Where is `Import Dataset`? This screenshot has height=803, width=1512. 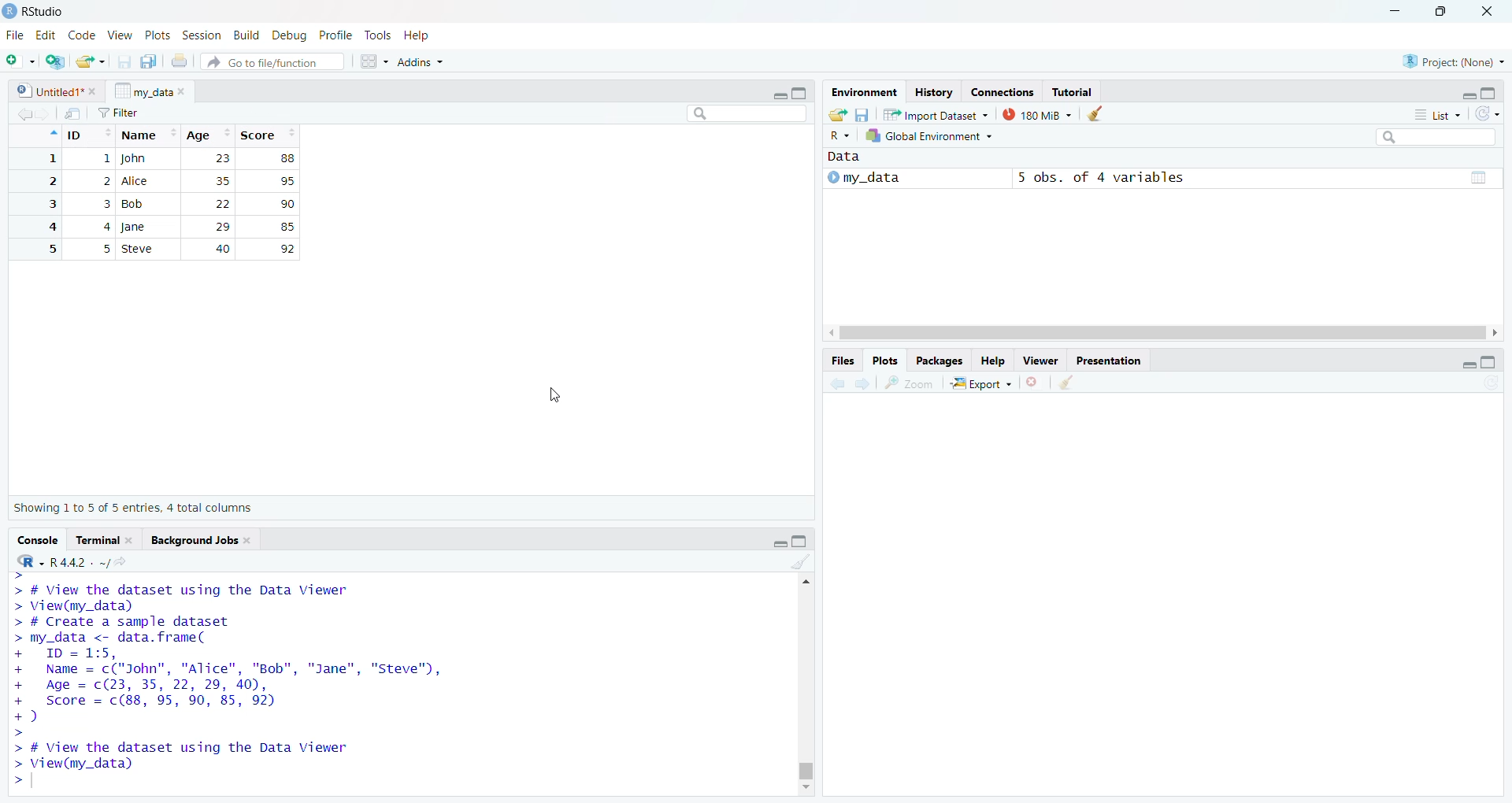 Import Dataset is located at coordinates (935, 115).